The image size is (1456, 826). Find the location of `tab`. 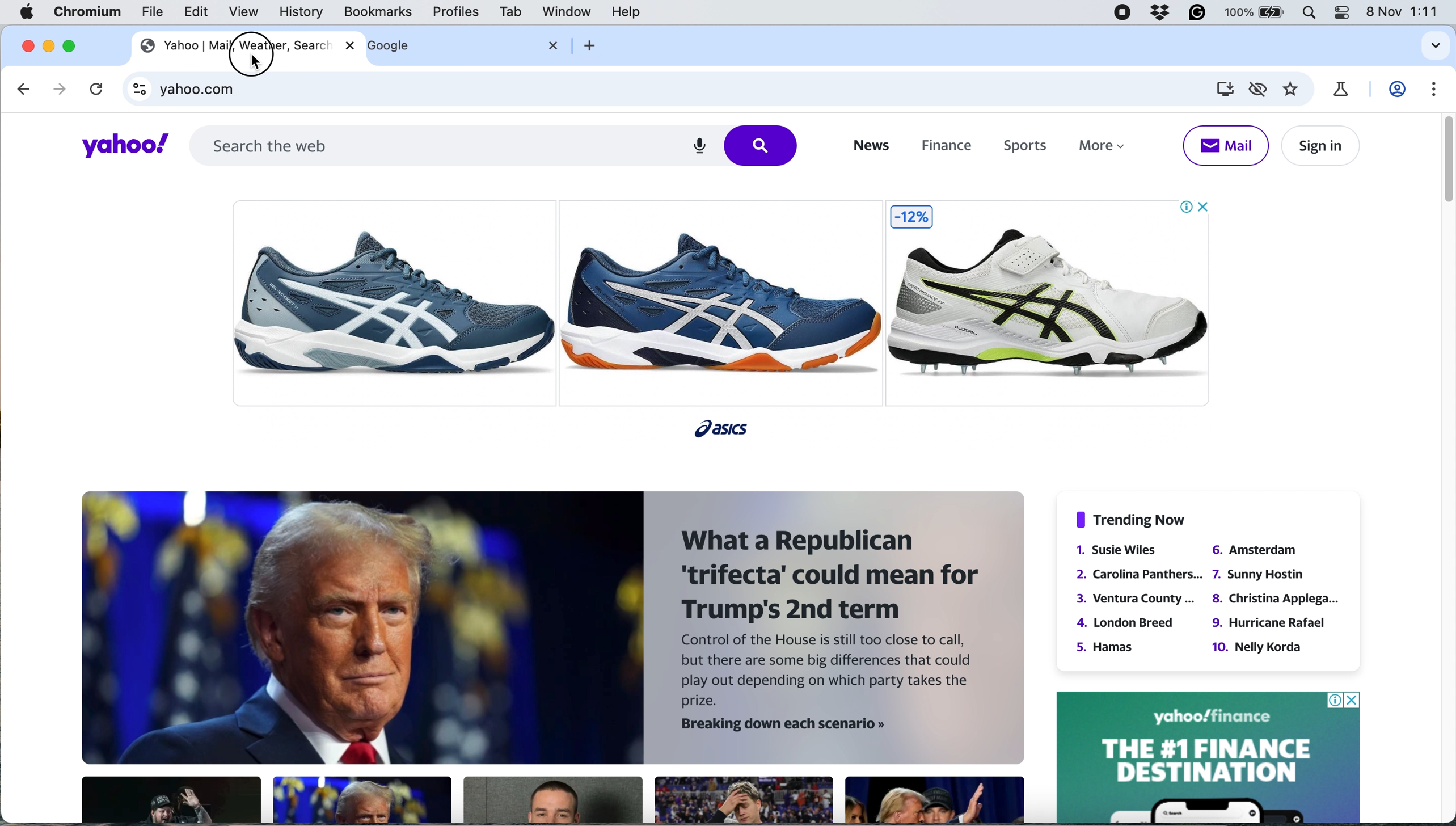

tab is located at coordinates (508, 12).